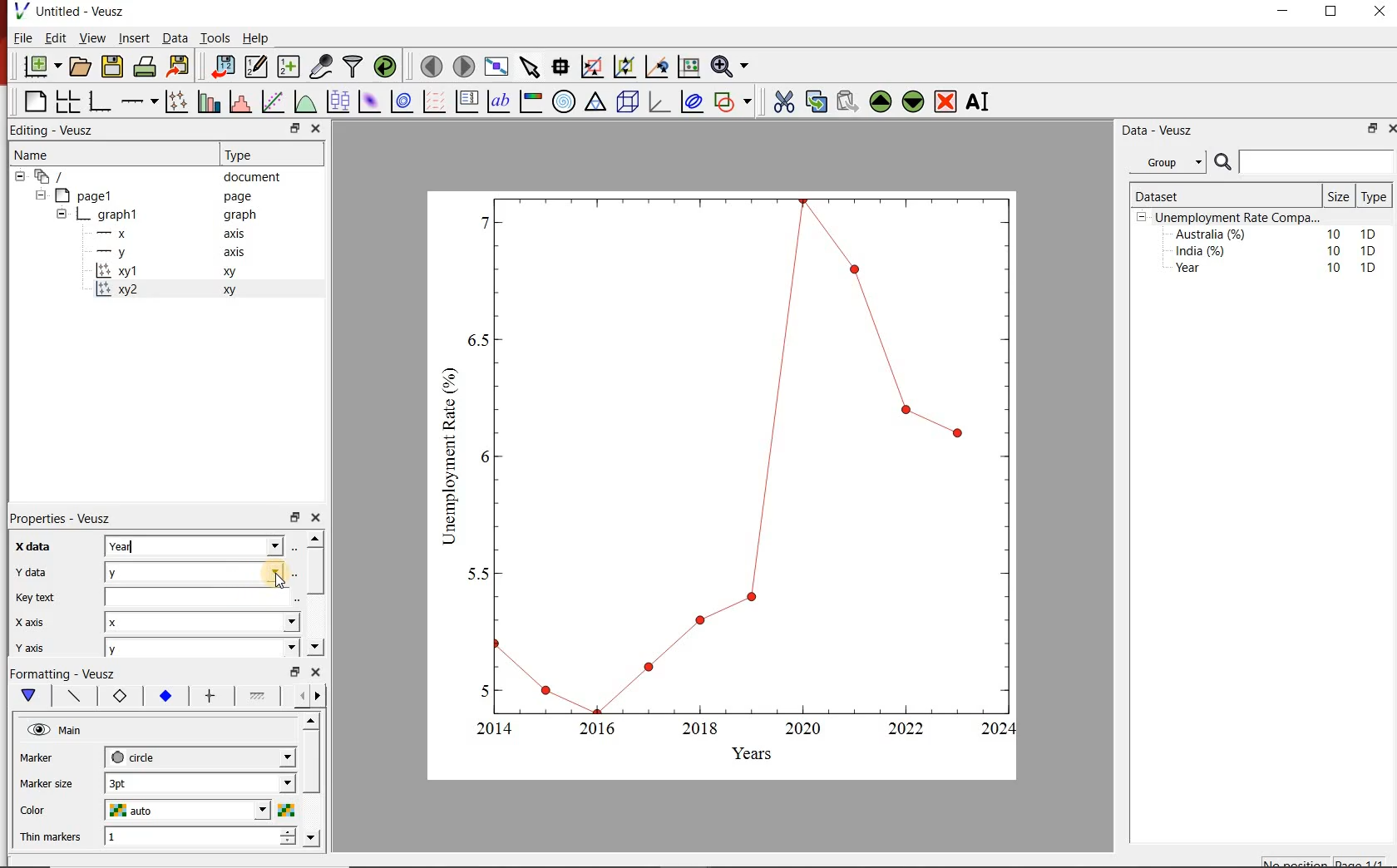 Image resolution: width=1397 pixels, height=868 pixels. Describe the element at coordinates (62, 672) in the screenshot. I see `Formatting - Veusz` at that location.